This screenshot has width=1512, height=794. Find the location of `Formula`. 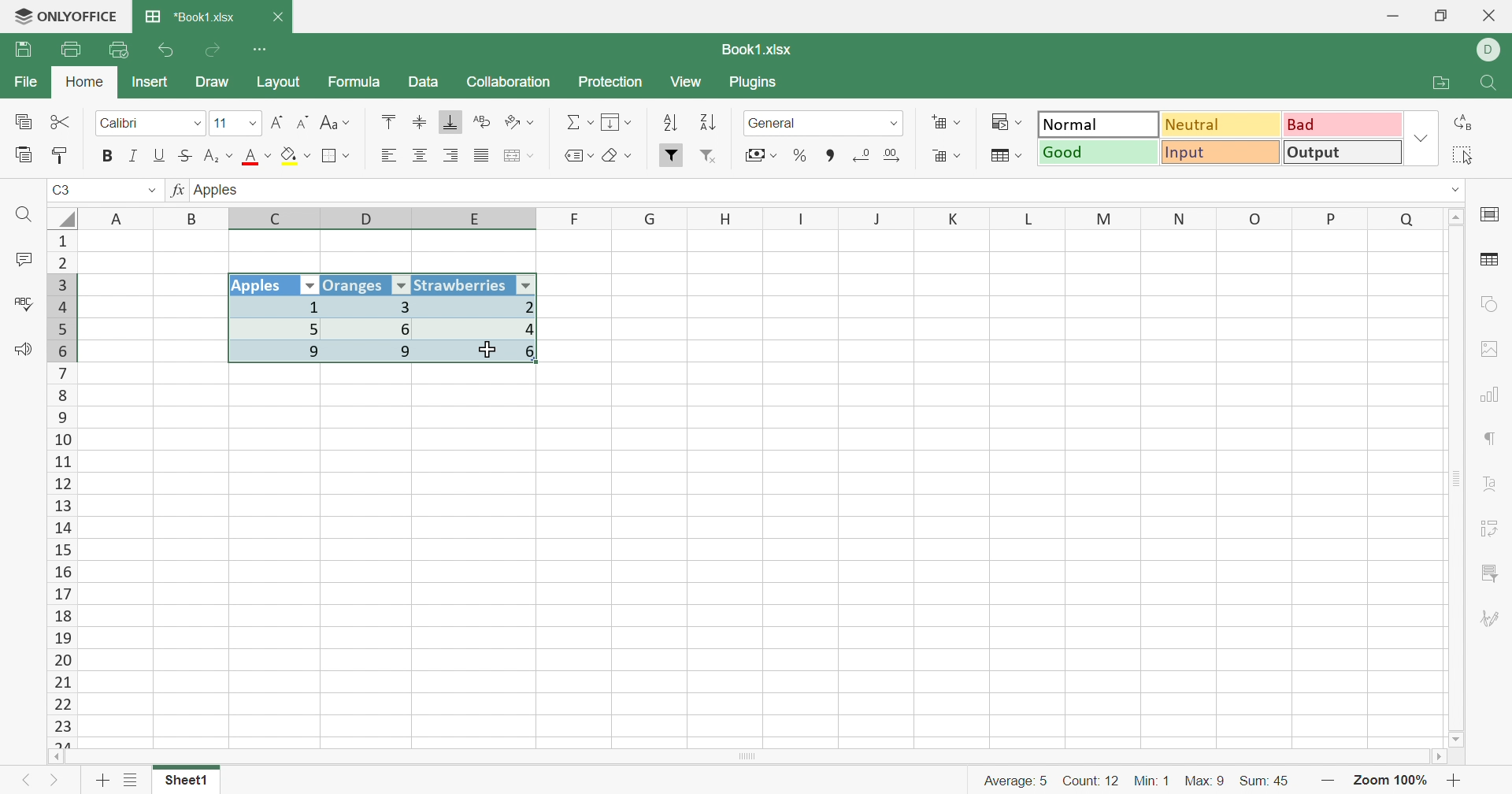

Formula is located at coordinates (353, 84).